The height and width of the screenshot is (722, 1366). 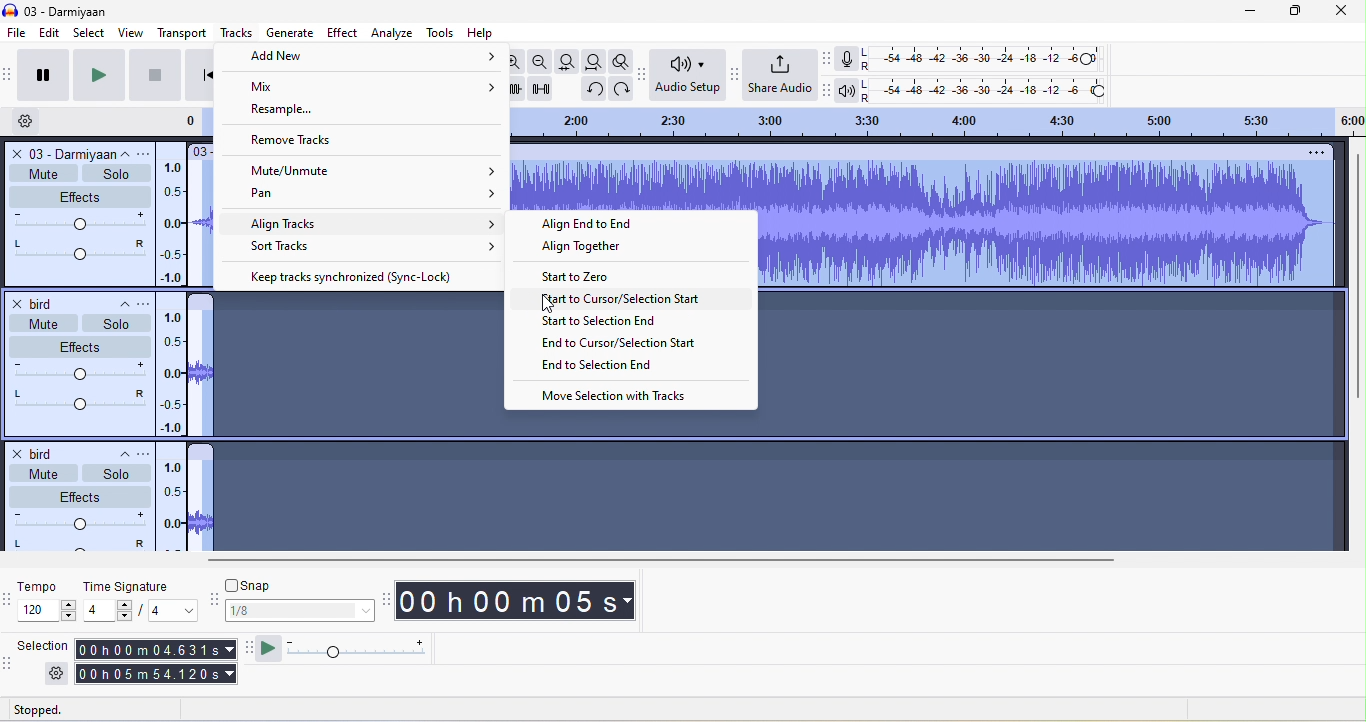 I want to click on audacity recording meter toolbar, so click(x=829, y=60).